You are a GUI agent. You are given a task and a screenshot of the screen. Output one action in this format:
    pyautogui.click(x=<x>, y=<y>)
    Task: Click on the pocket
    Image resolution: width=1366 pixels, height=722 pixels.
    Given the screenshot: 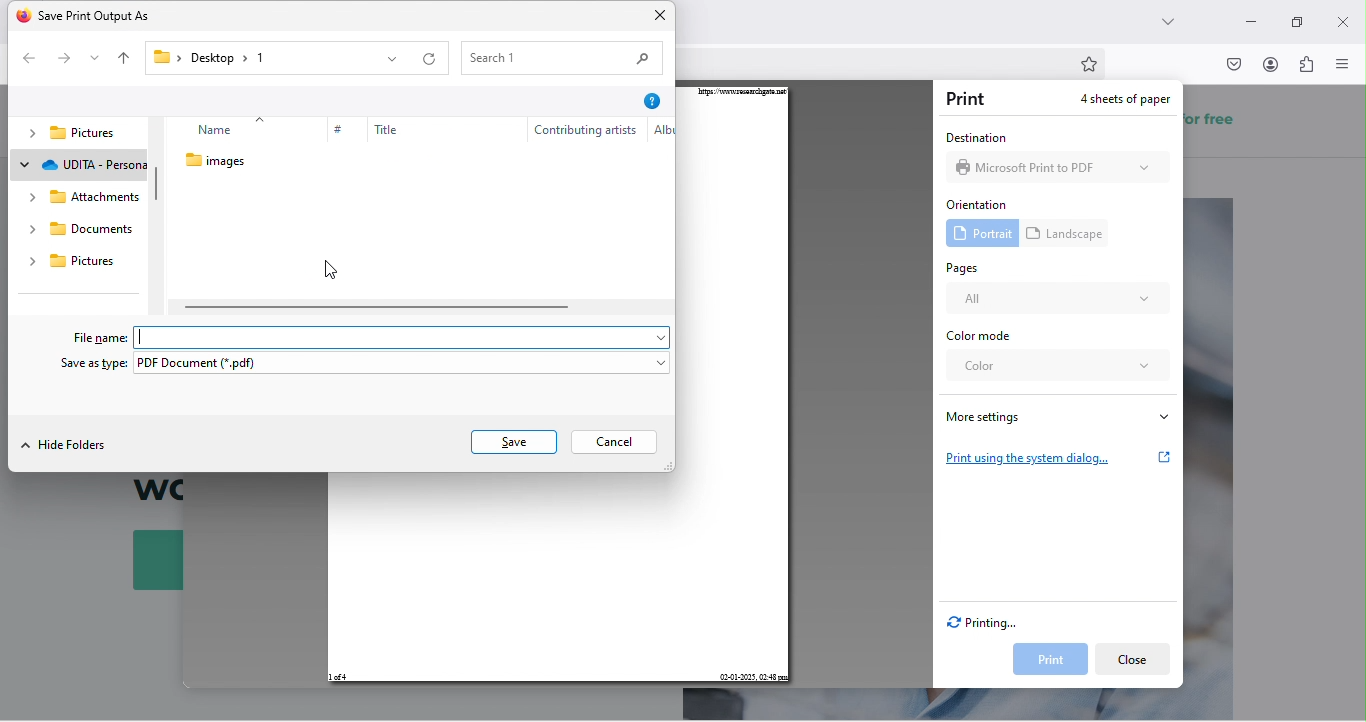 What is the action you would take?
    pyautogui.click(x=1232, y=64)
    